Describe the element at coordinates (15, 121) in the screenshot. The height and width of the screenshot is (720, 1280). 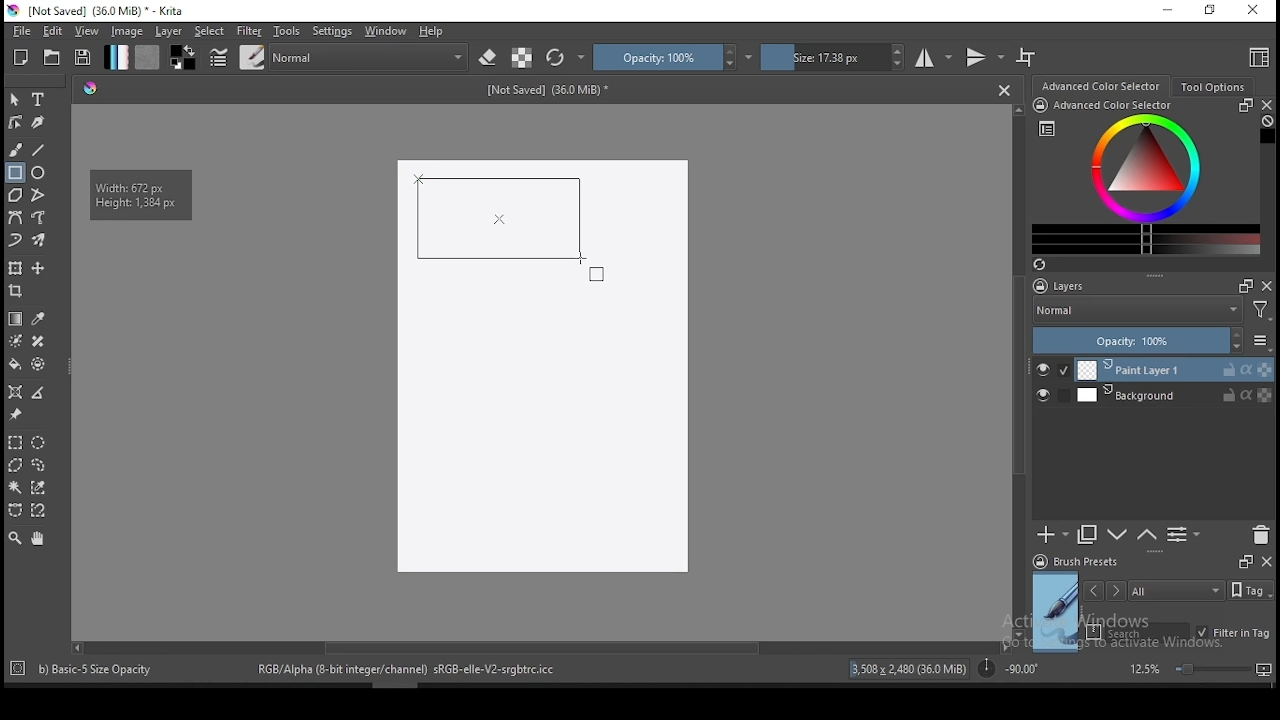
I see `edit shapes tool` at that location.